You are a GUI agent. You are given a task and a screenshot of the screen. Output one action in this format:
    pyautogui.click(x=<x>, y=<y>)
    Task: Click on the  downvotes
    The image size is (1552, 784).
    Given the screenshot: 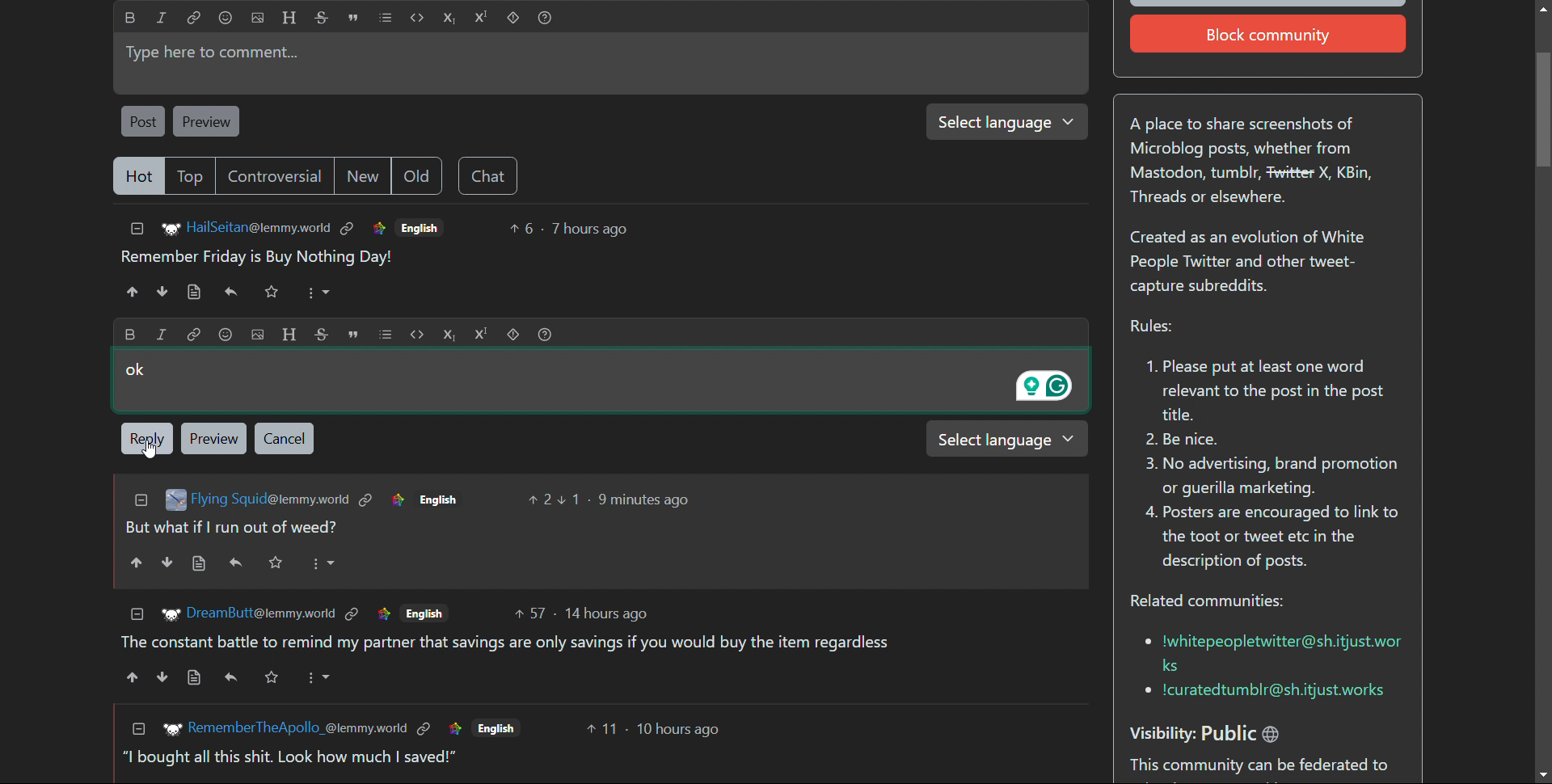 What is the action you would take?
    pyautogui.click(x=164, y=291)
    